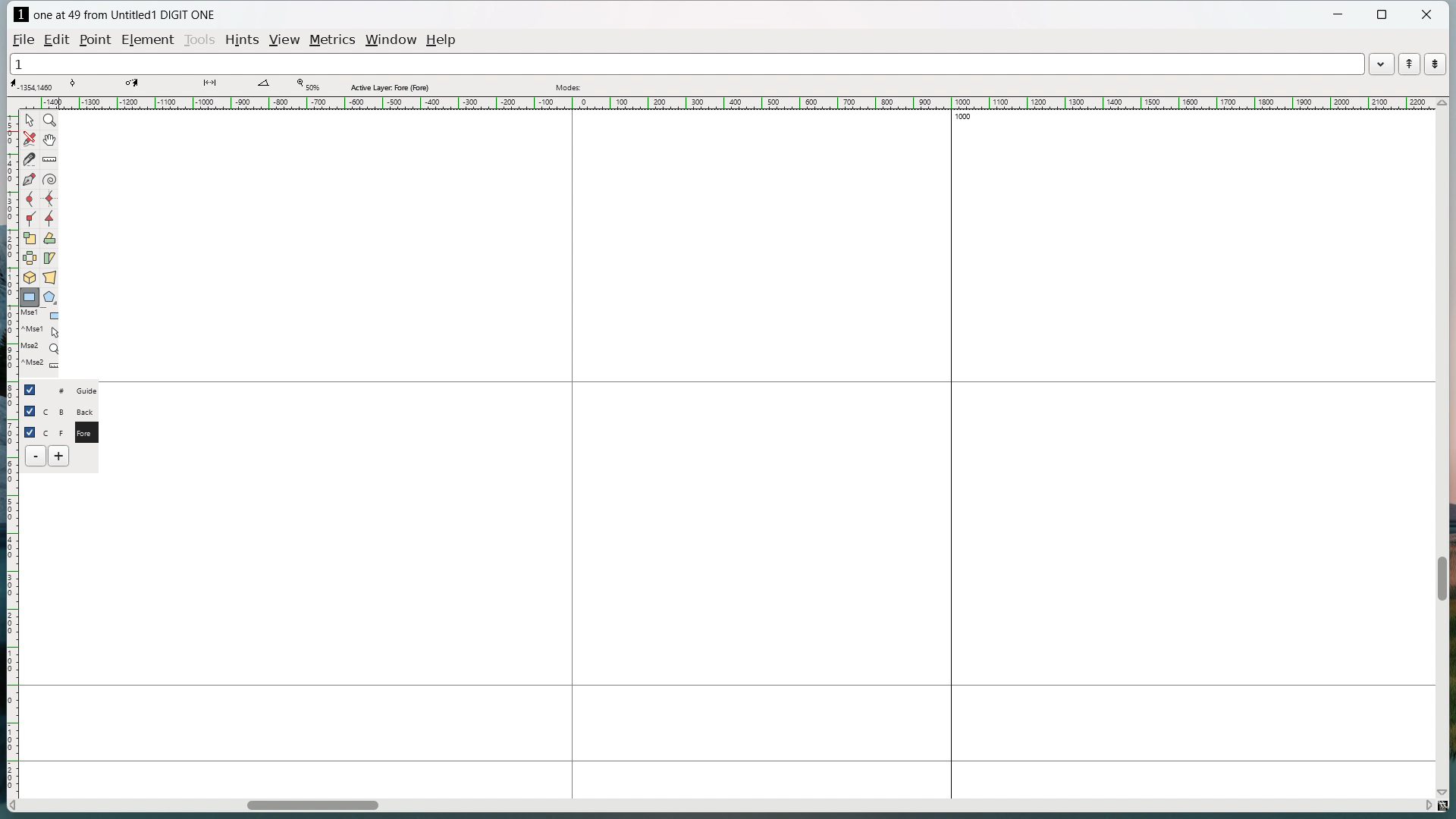  I want to click on element, so click(147, 39).